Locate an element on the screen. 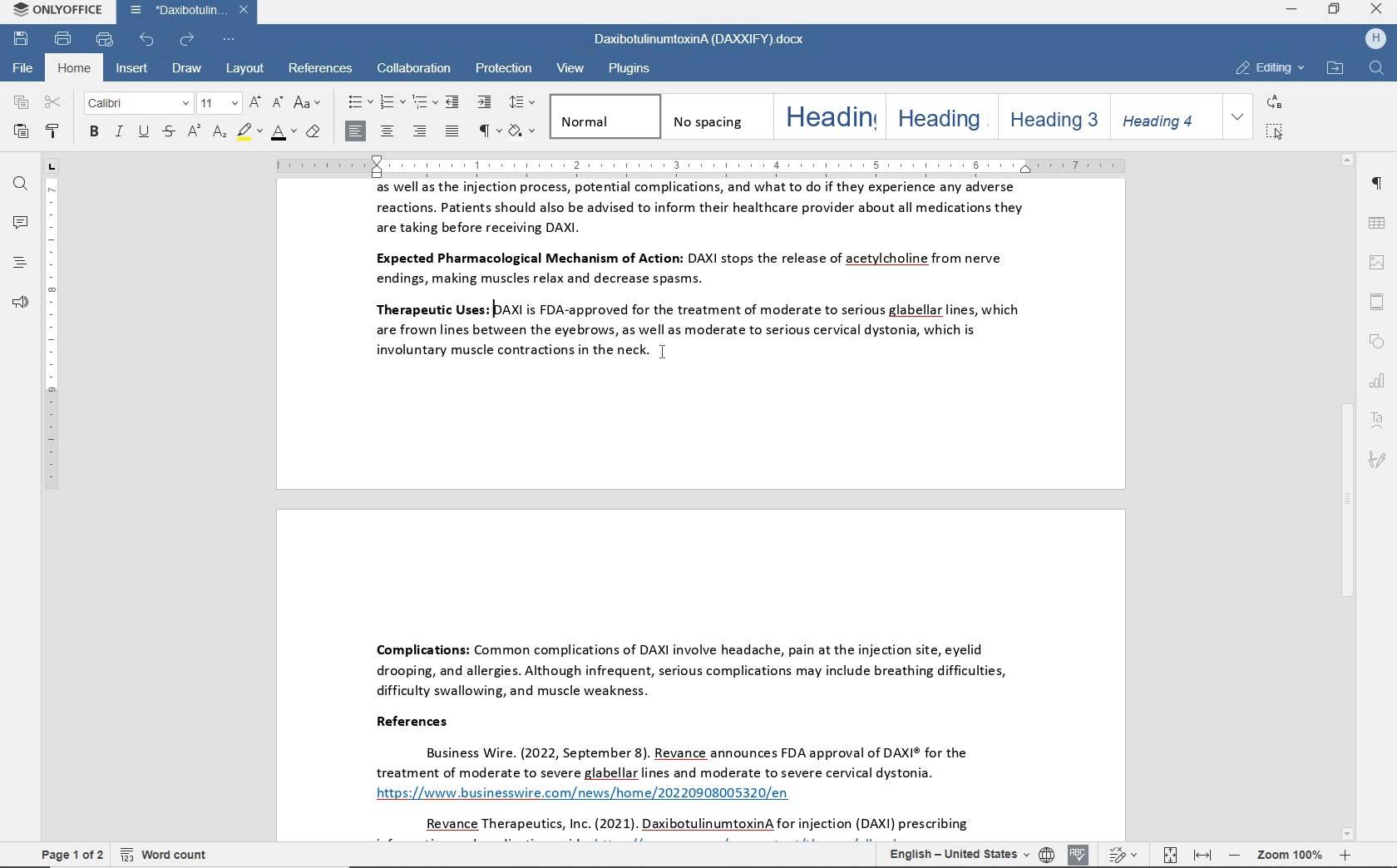  system name is located at coordinates (56, 11).